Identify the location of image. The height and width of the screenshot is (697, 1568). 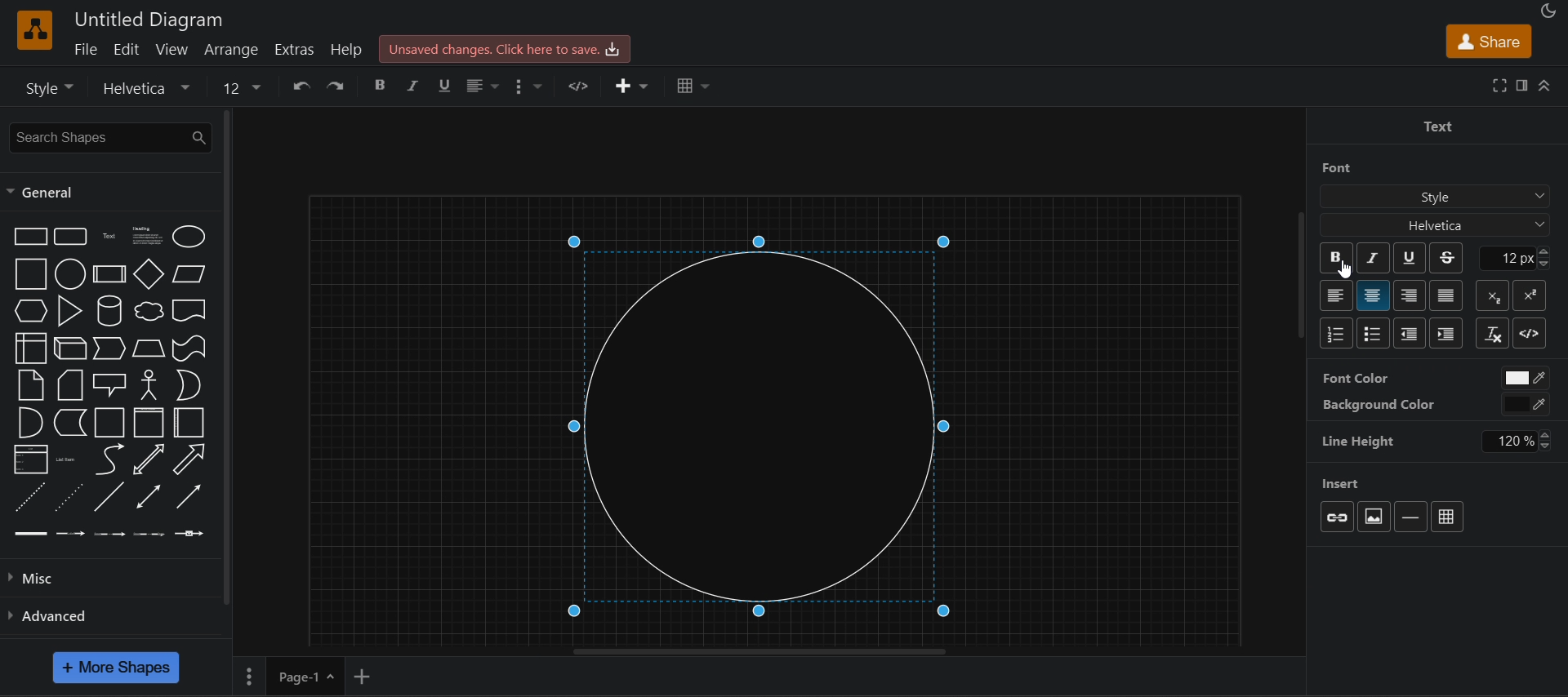
(1374, 517).